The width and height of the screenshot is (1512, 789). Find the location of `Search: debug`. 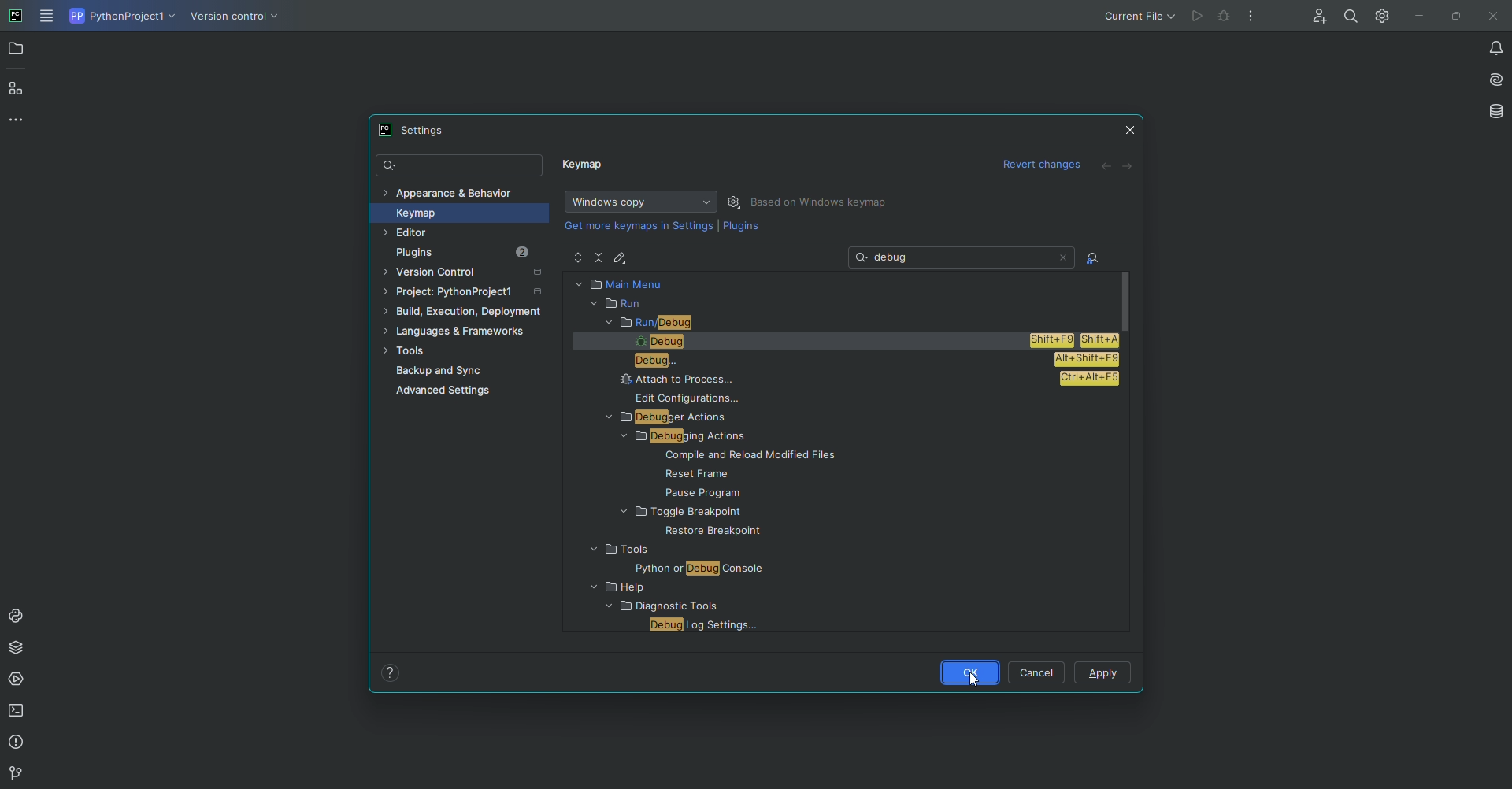

Search: debug is located at coordinates (963, 257).